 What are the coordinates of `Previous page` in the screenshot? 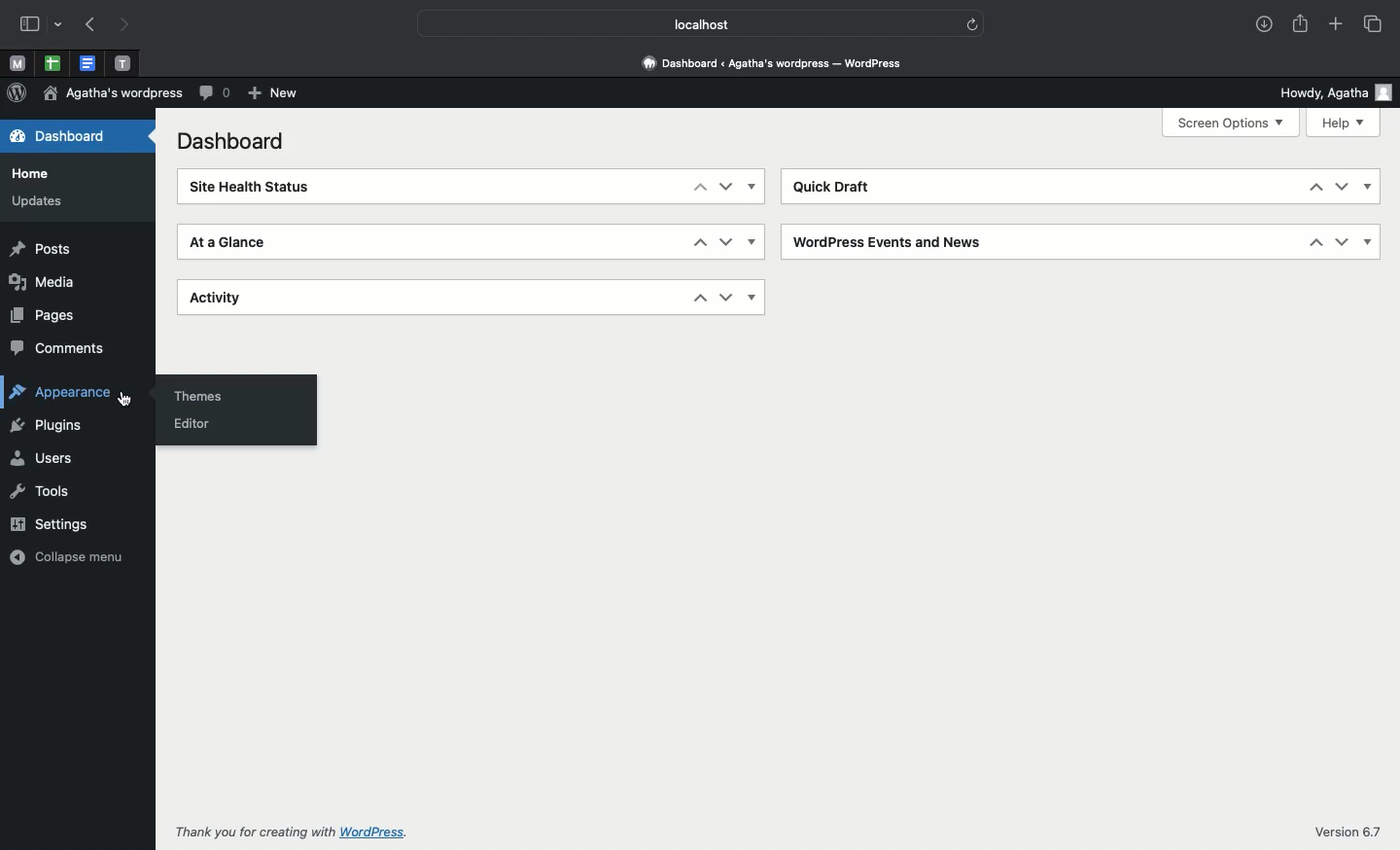 It's located at (88, 26).